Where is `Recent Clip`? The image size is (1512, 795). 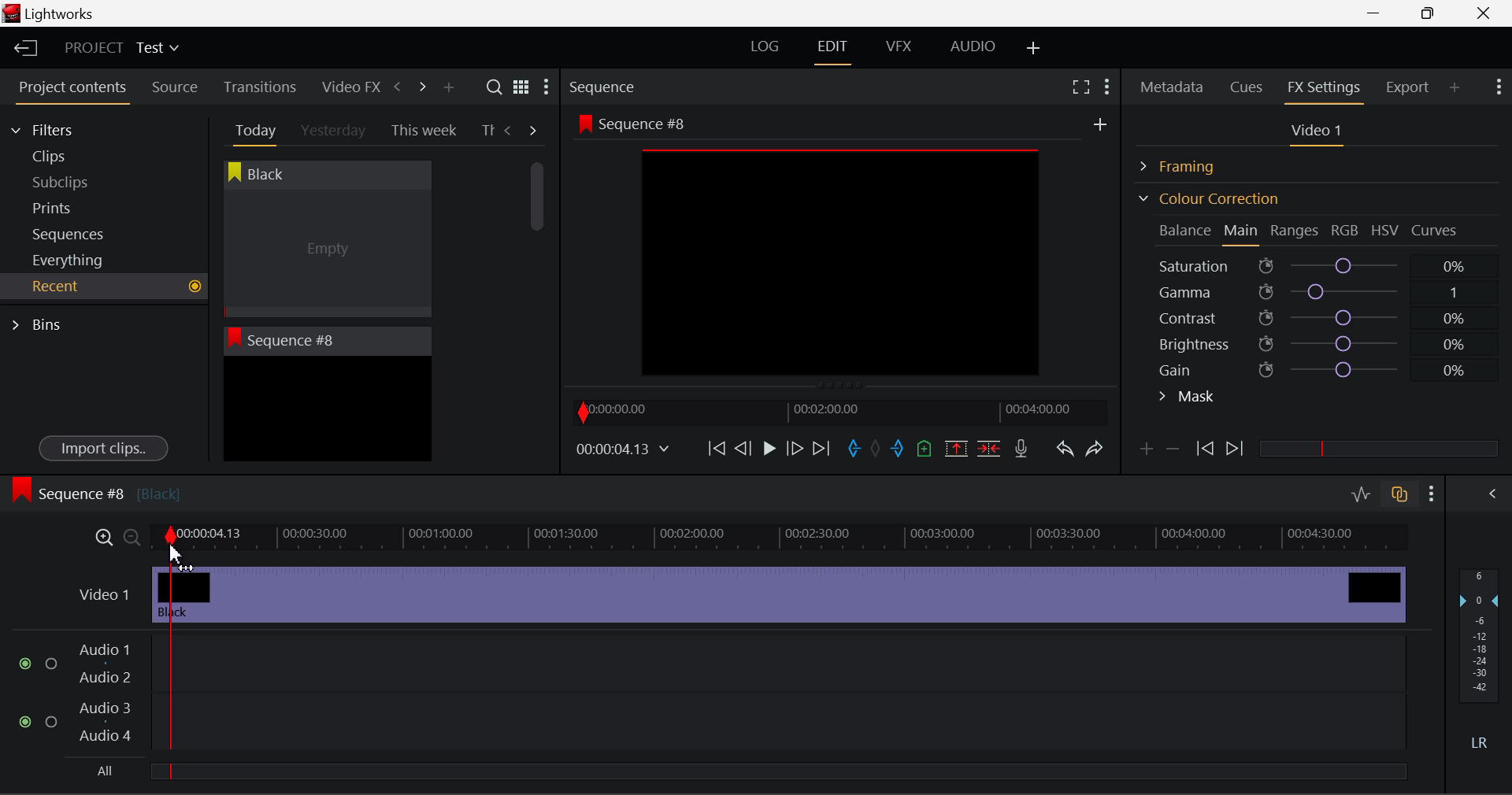 Recent Clip is located at coordinates (327, 412).